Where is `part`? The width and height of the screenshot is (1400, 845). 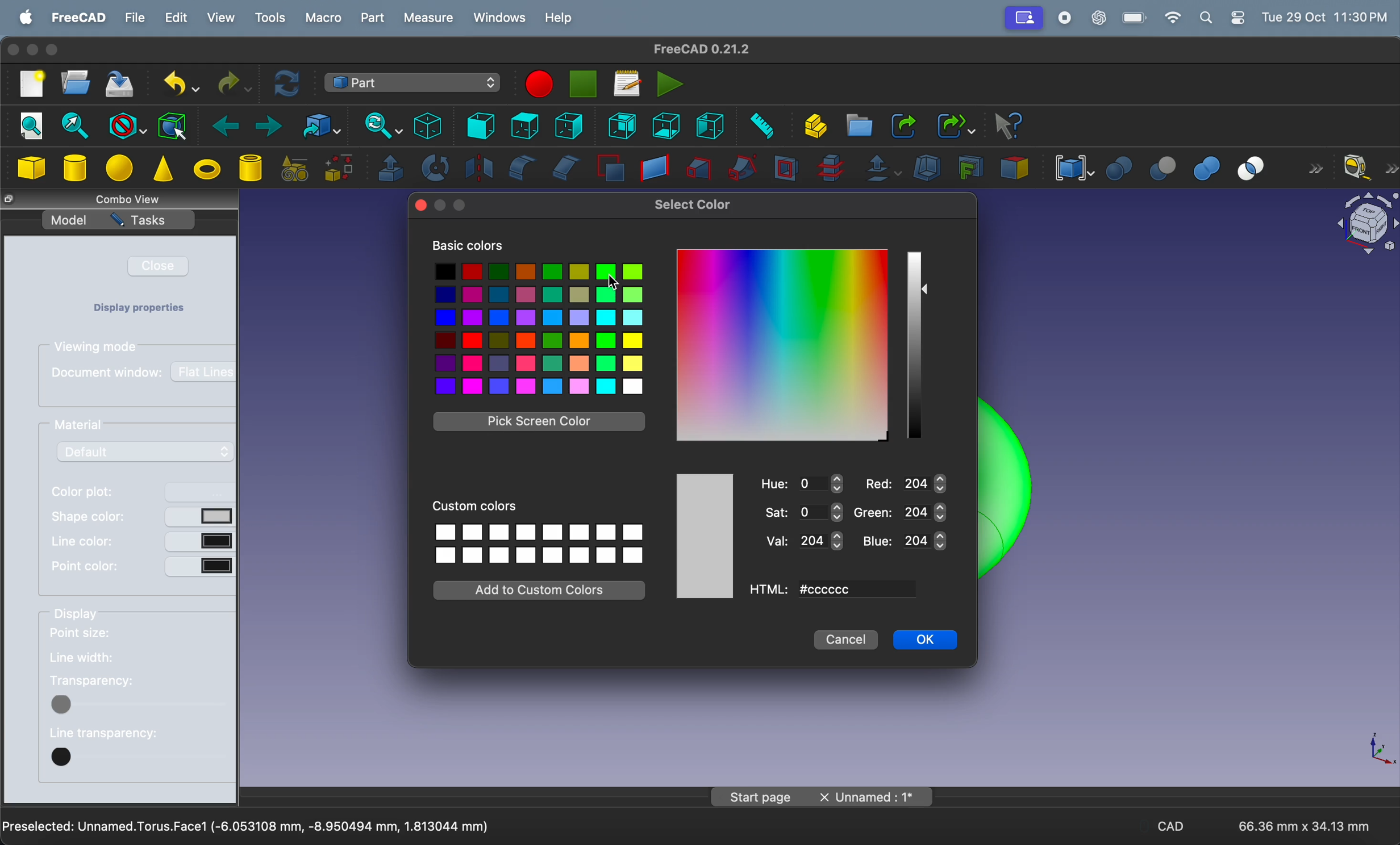 part is located at coordinates (373, 18).